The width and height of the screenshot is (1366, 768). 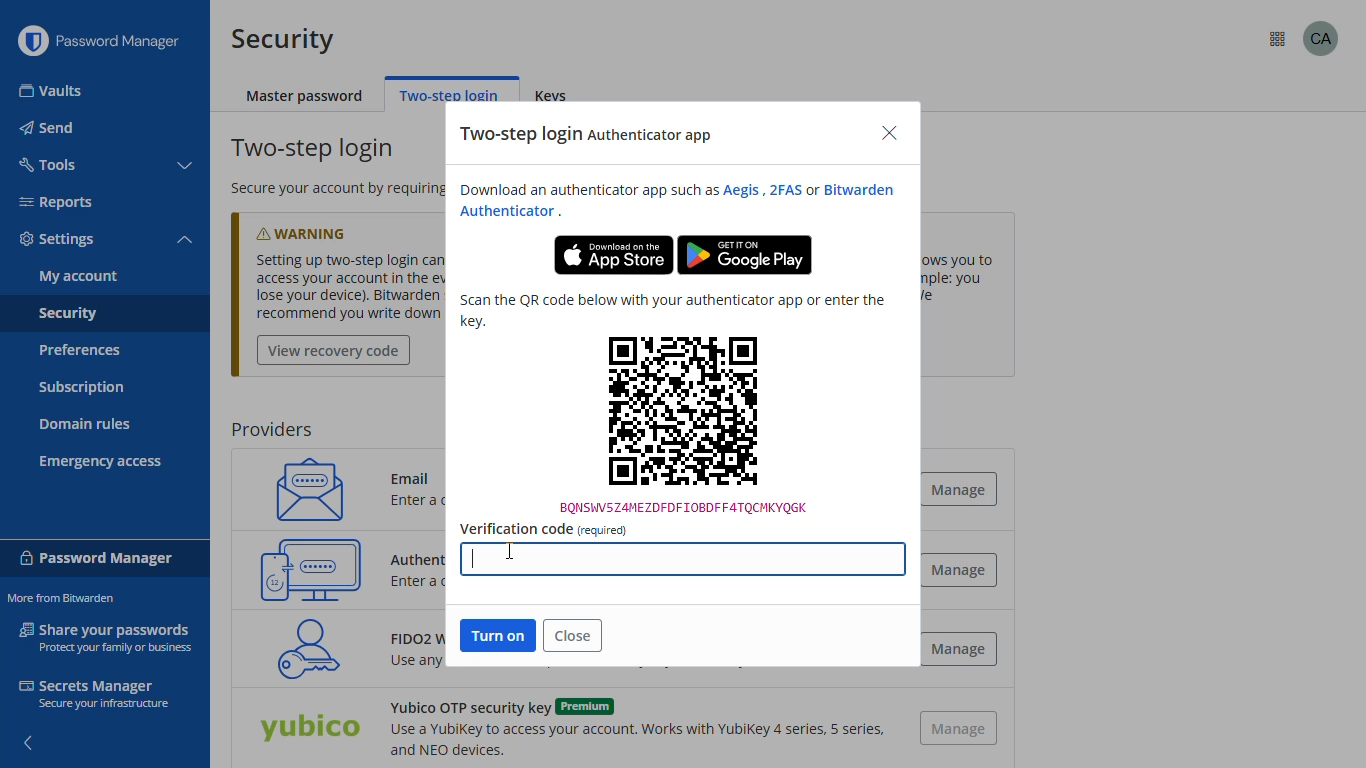 I want to click on FIDO2 WebAuthn, so click(x=302, y=648).